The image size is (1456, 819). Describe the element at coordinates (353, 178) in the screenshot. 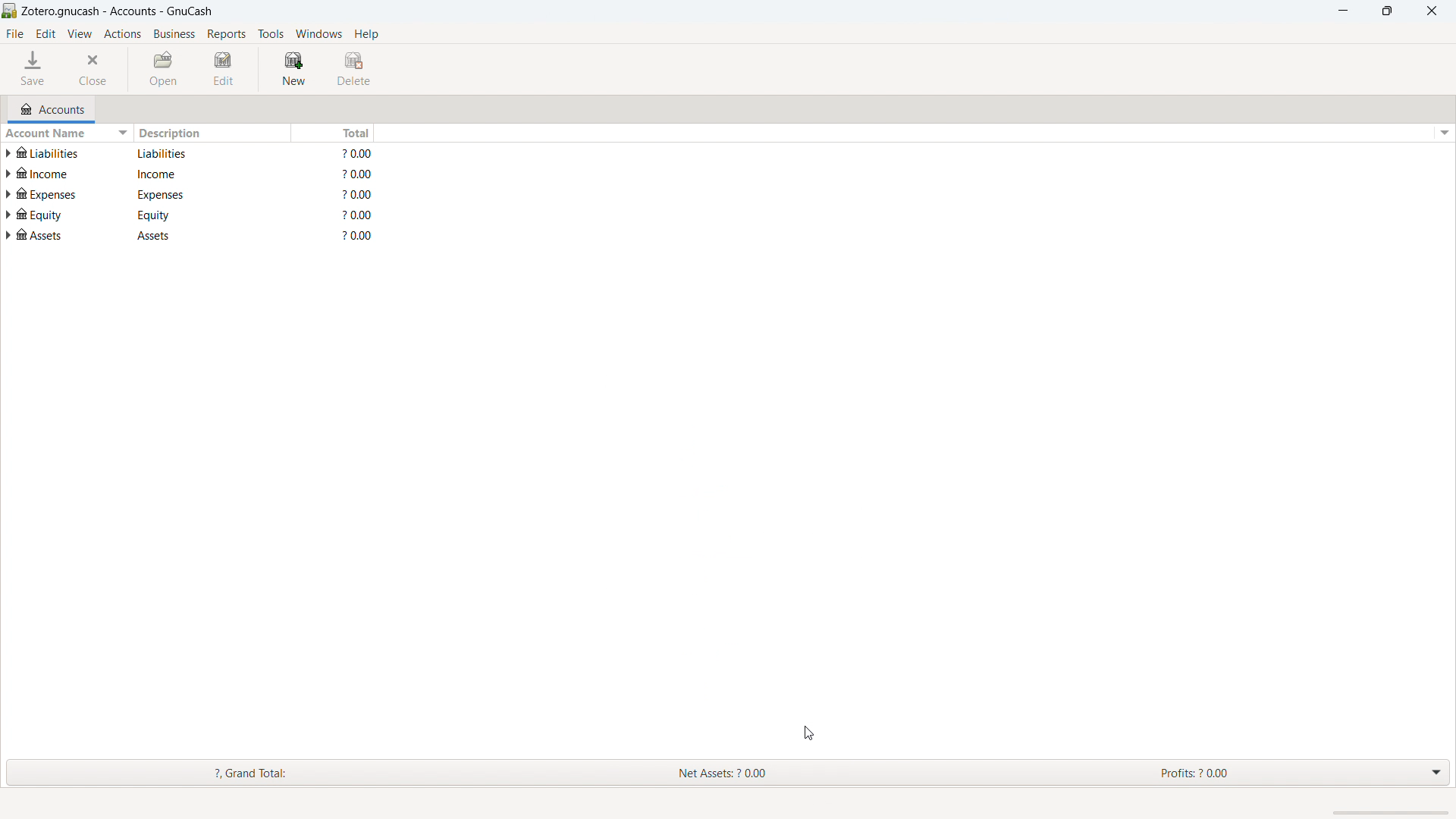

I see `total` at that location.